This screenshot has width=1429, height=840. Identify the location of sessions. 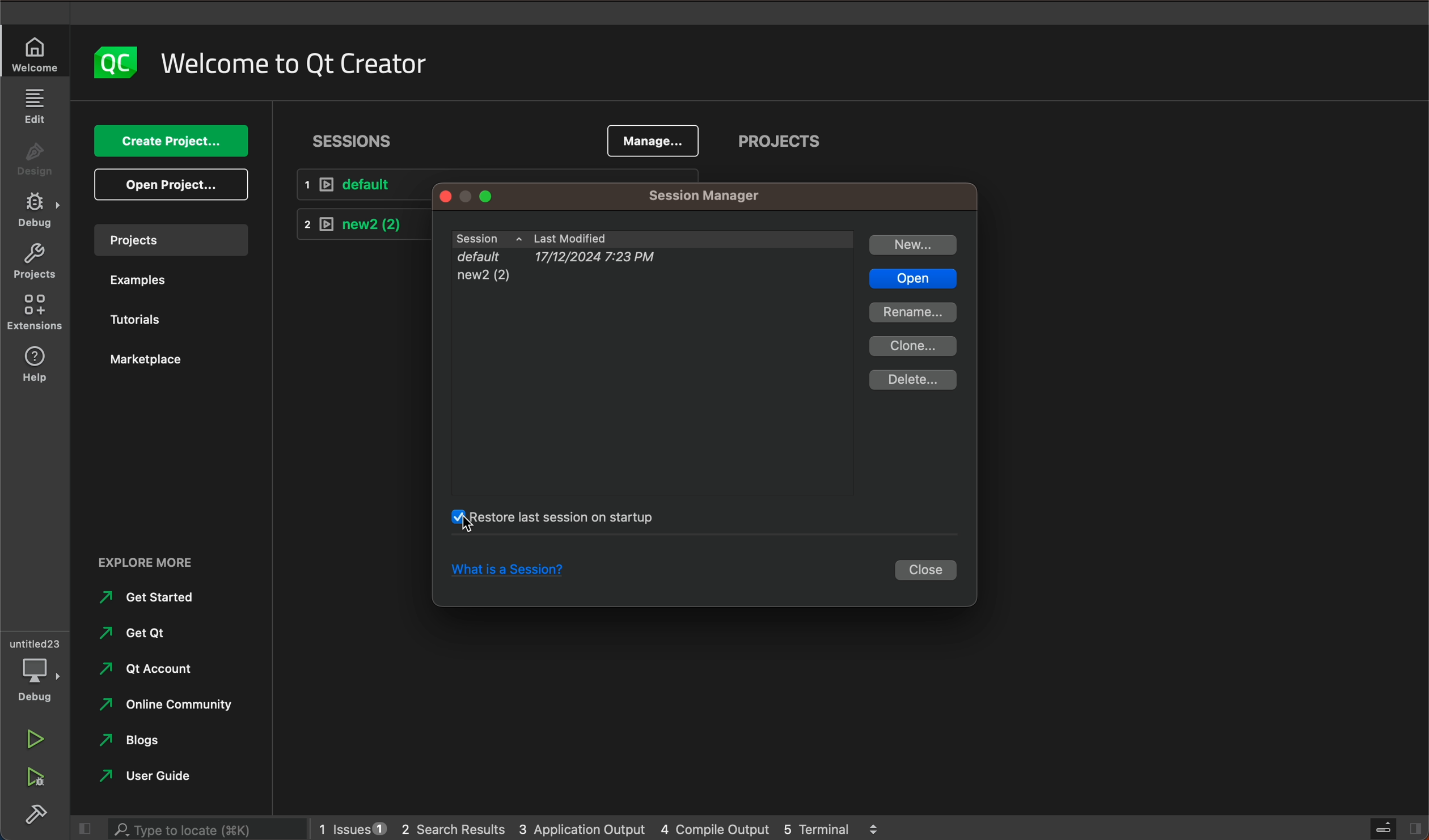
(360, 142).